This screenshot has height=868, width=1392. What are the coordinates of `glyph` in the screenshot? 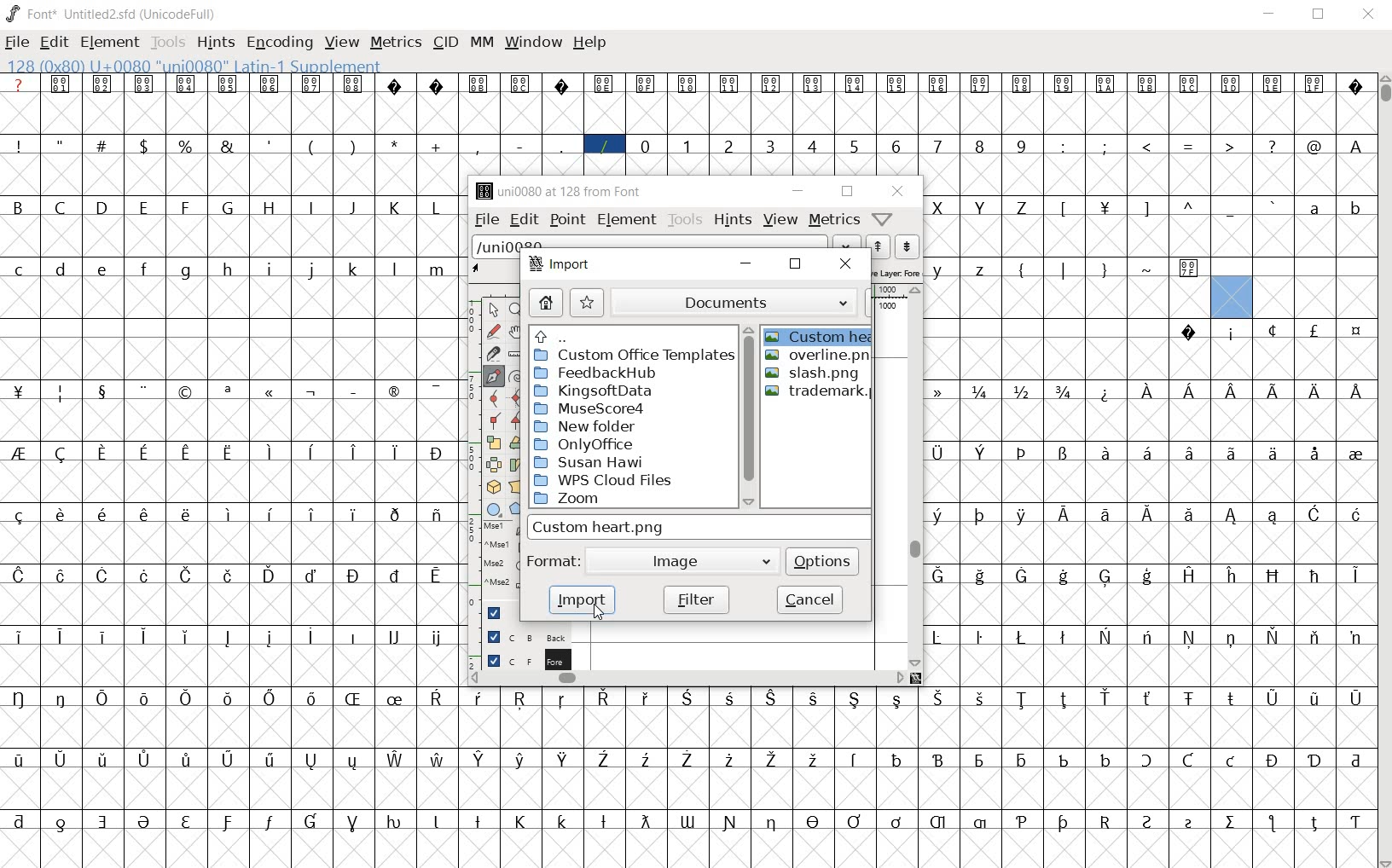 It's located at (1273, 391).